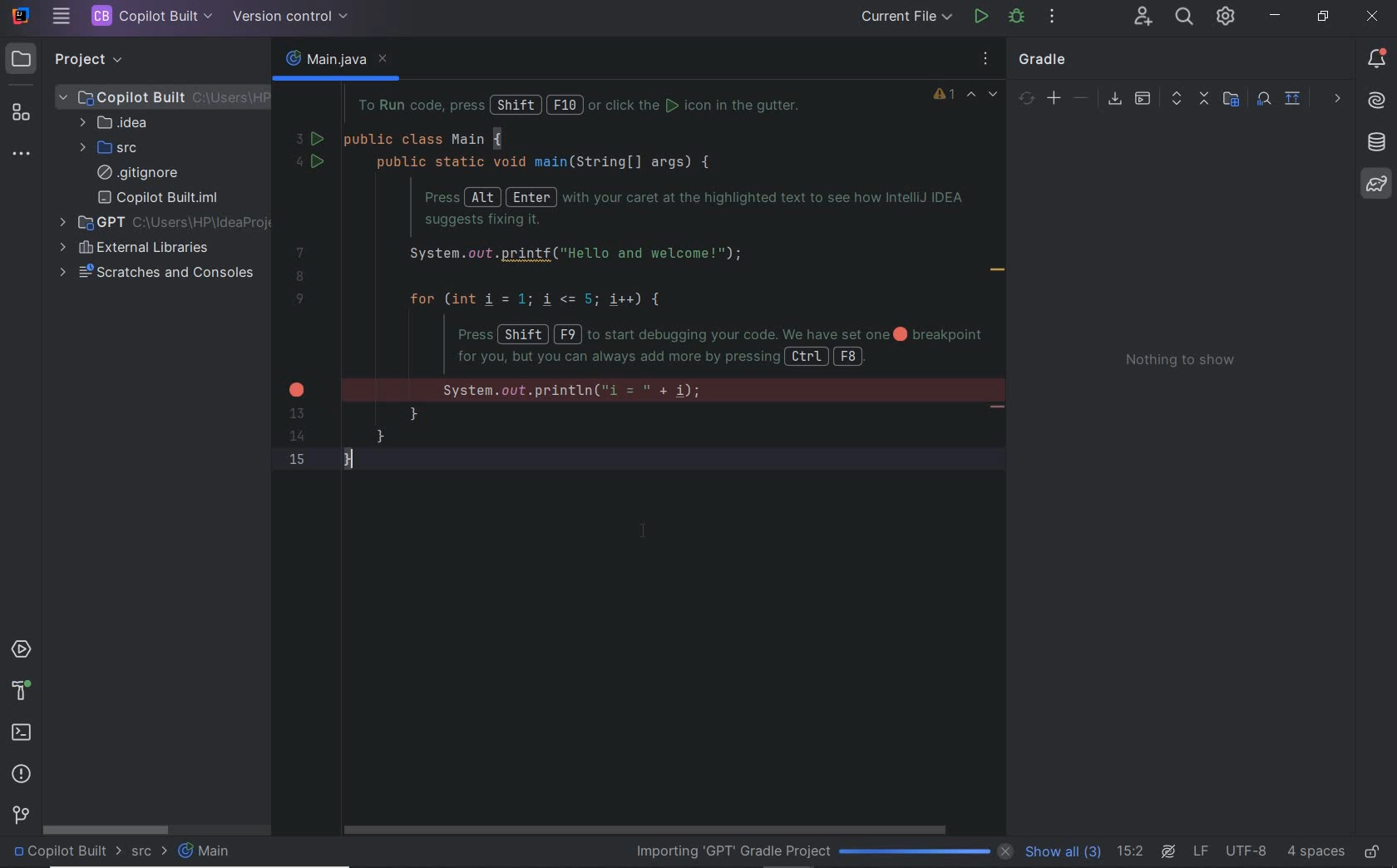 This screenshot has width=1397, height=868. Describe the element at coordinates (297, 389) in the screenshot. I see `error` at that location.